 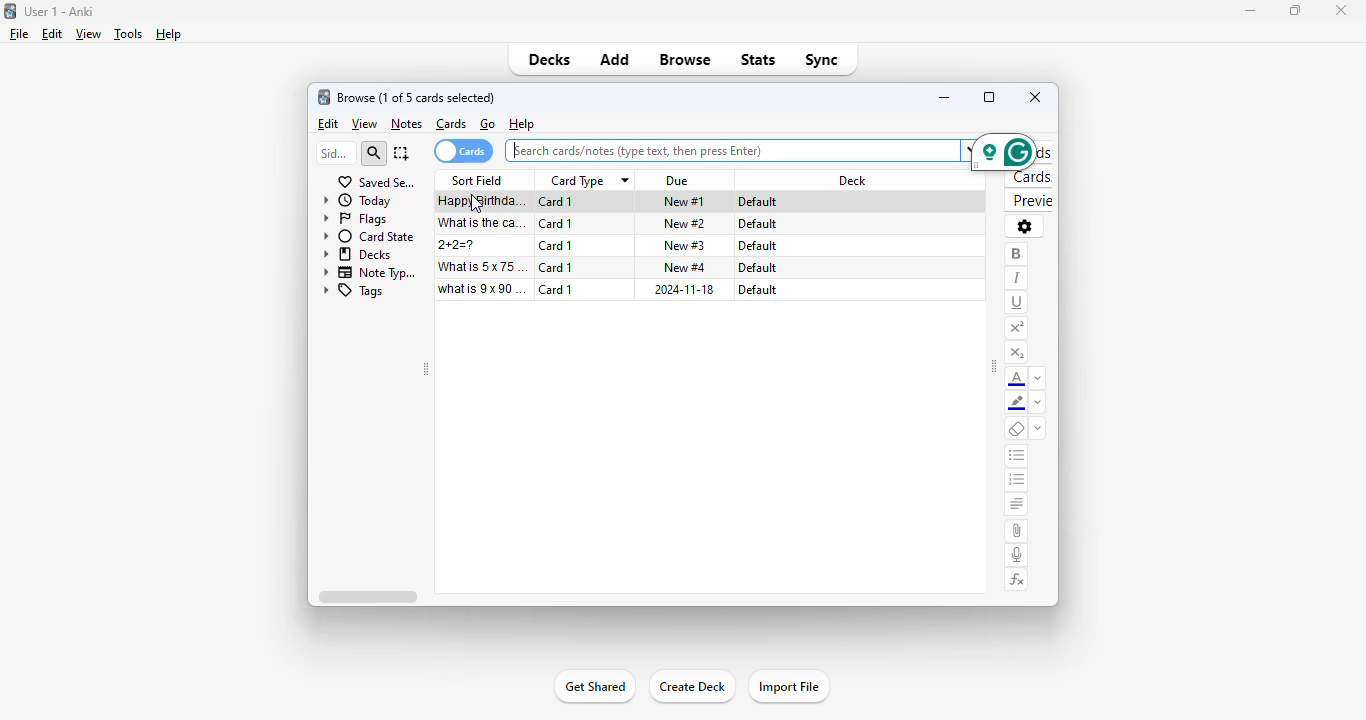 What do you see at coordinates (1016, 481) in the screenshot?
I see `ordered list` at bounding box center [1016, 481].